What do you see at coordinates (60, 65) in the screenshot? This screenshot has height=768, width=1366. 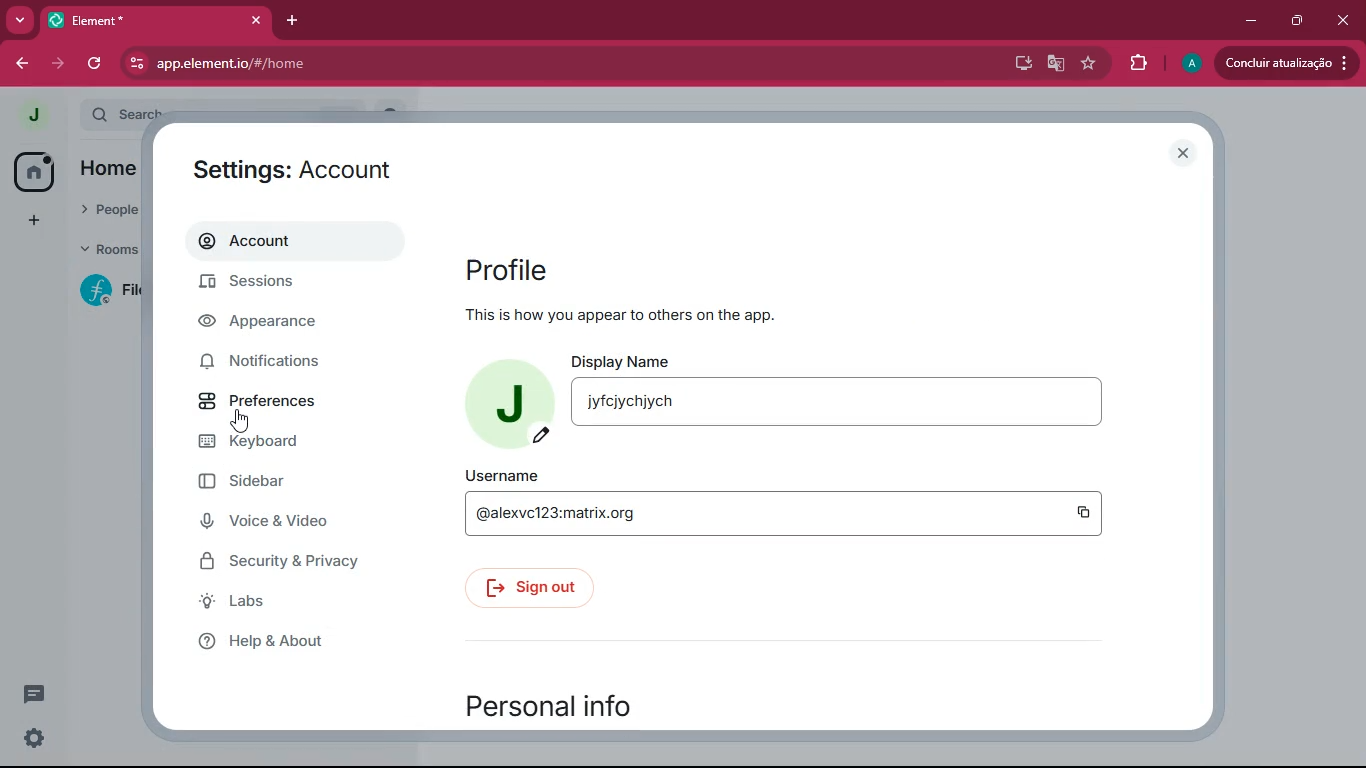 I see `forward` at bounding box center [60, 65].